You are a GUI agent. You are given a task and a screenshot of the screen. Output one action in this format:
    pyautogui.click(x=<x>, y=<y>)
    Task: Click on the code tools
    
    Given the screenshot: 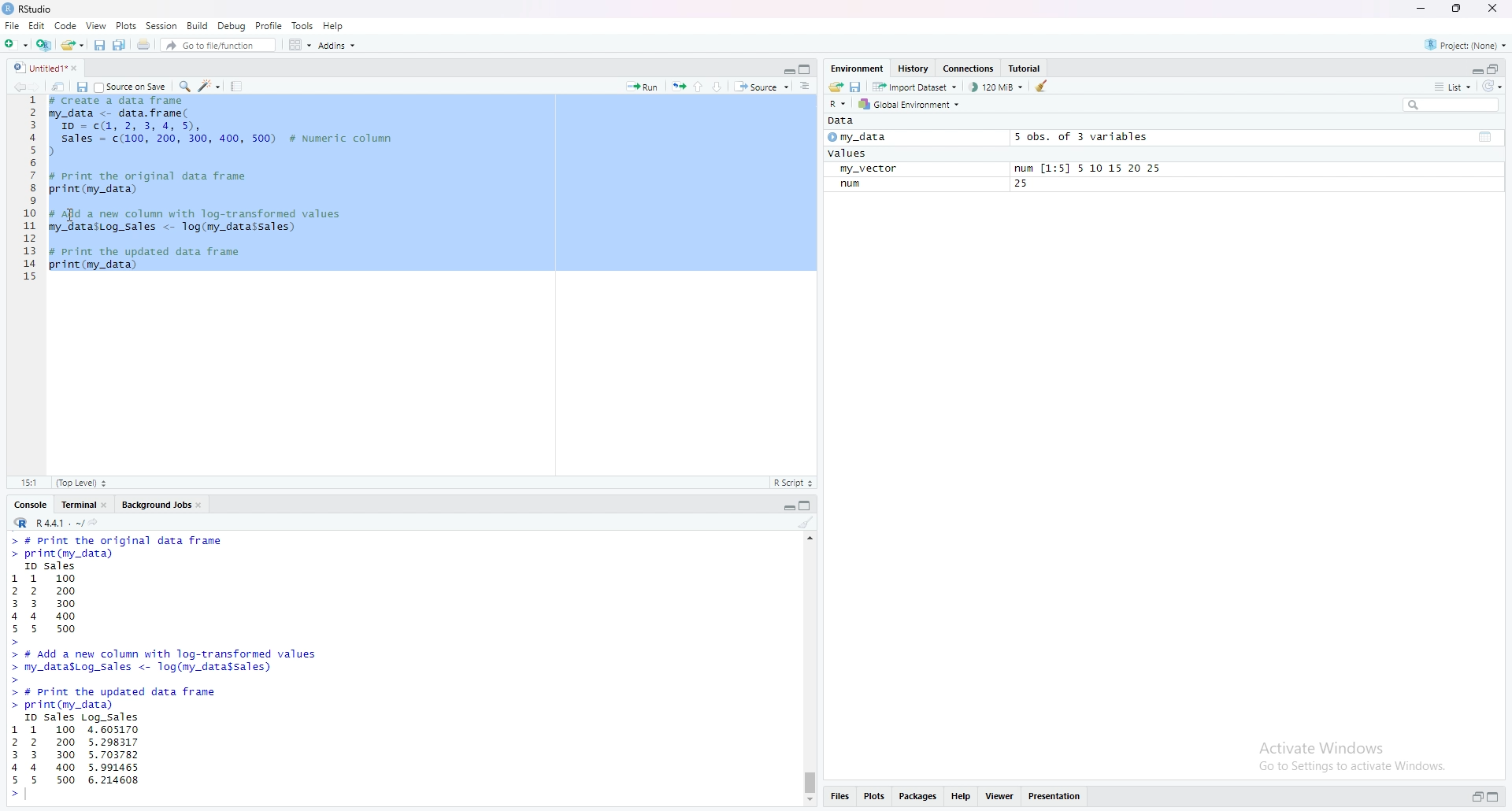 What is the action you would take?
    pyautogui.click(x=209, y=88)
    